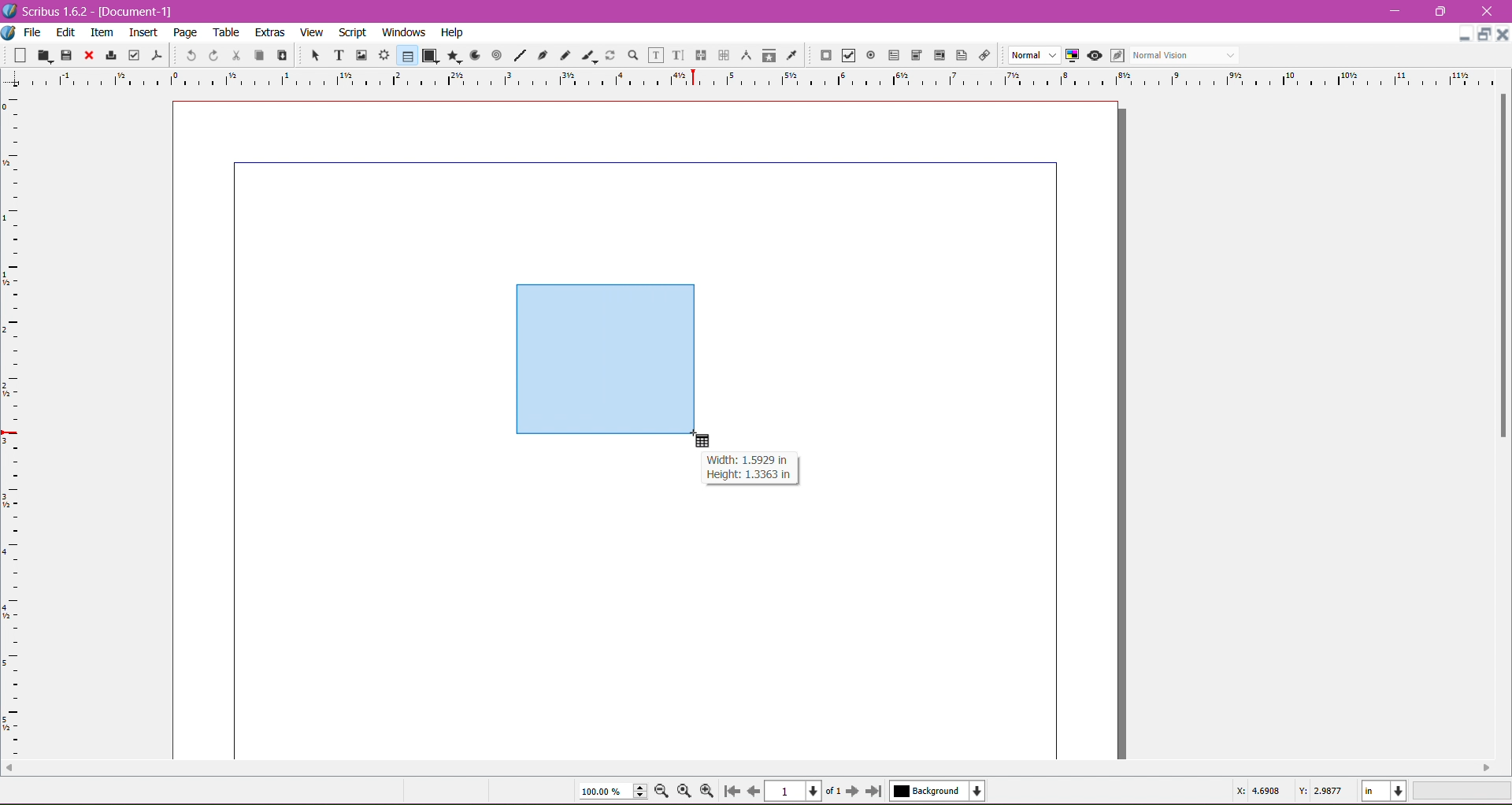 The image size is (1512, 805). Describe the element at coordinates (189, 54) in the screenshot. I see `Undo` at that location.